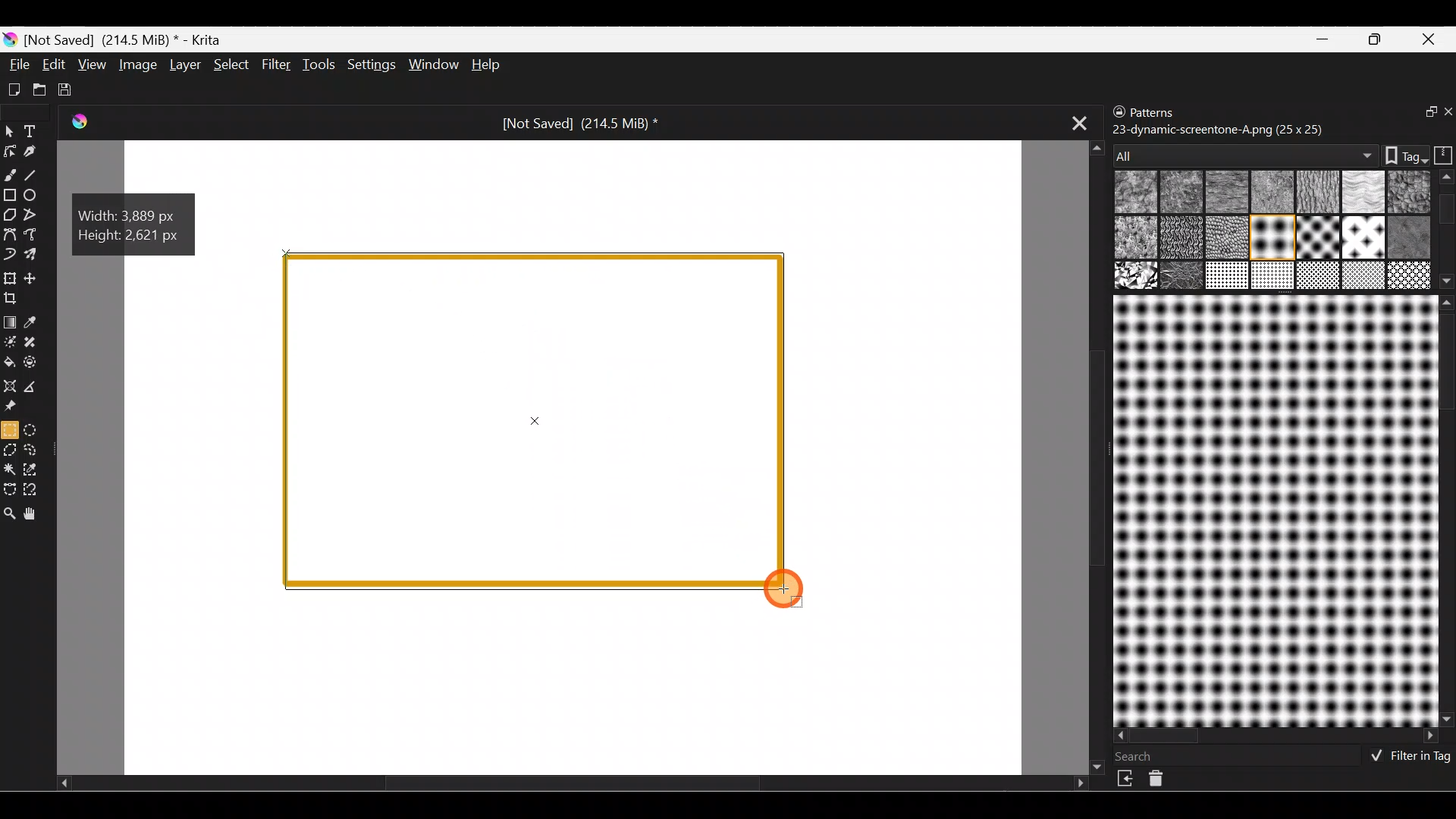  Describe the element at coordinates (1182, 193) in the screenshot. I see `02 rough-canvas.png` at that location.